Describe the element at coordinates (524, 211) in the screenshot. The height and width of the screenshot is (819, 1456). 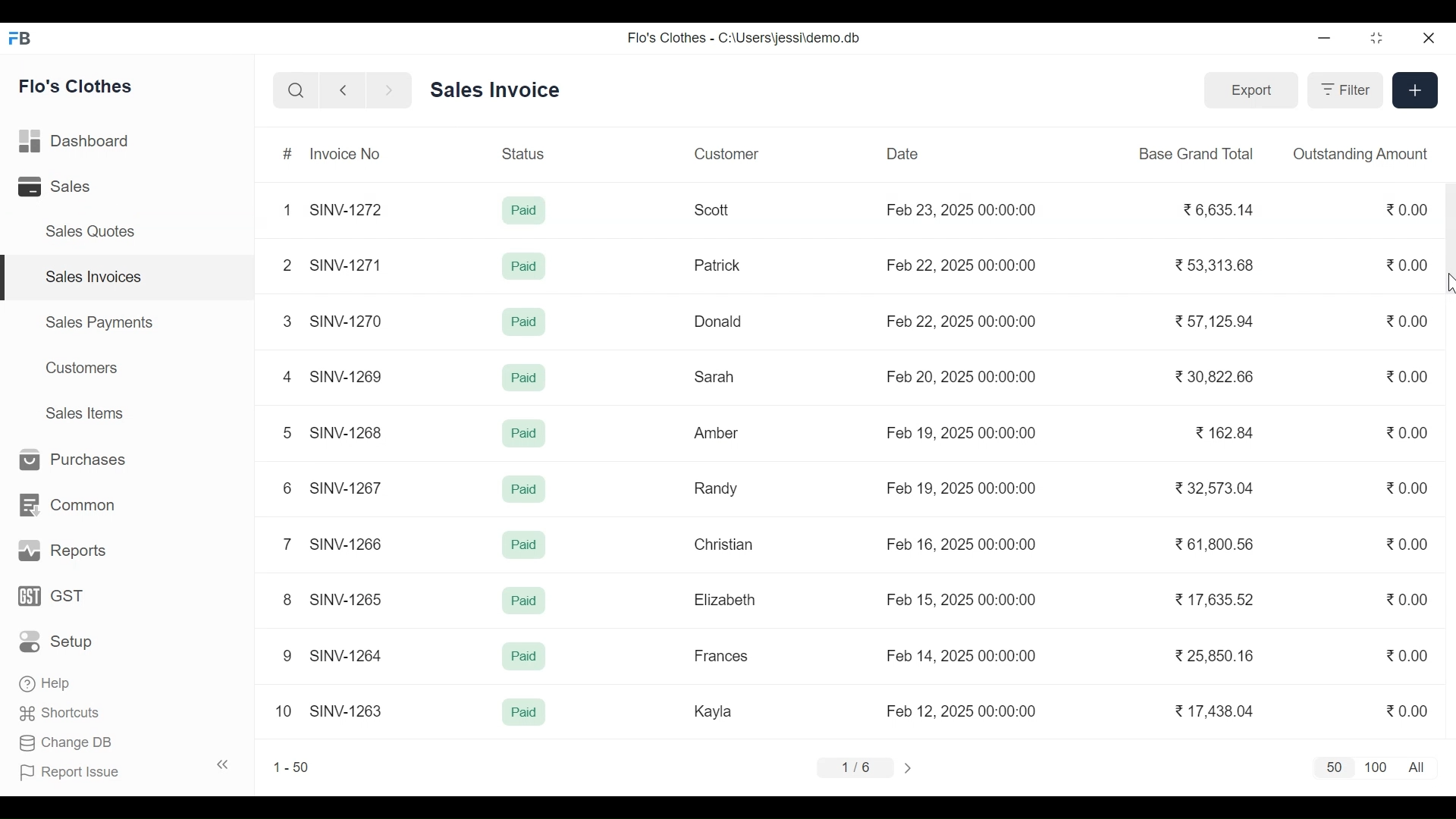
I see `Paid` at that location.